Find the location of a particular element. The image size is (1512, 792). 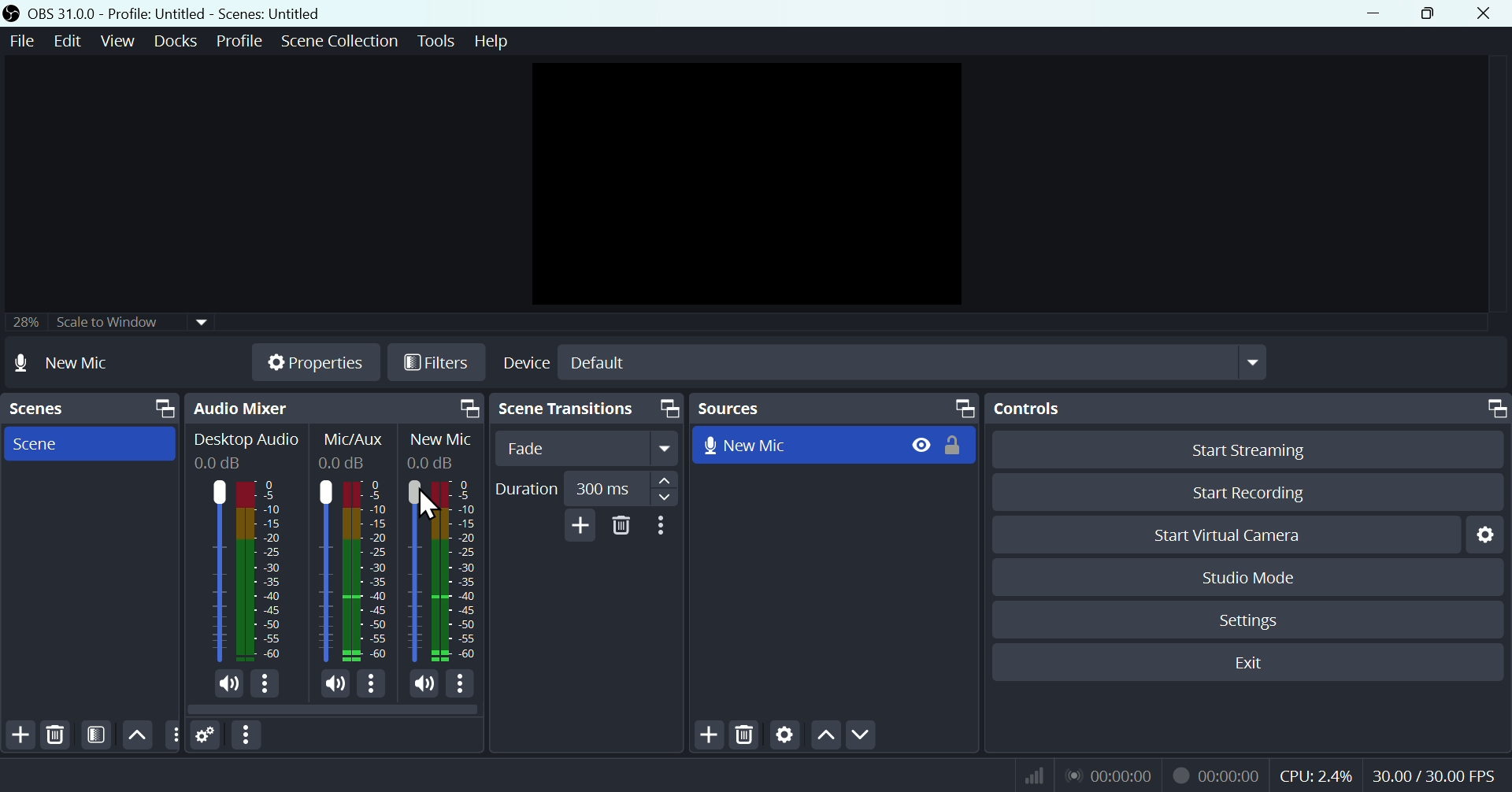

Add is located at coordinates (19, 735).